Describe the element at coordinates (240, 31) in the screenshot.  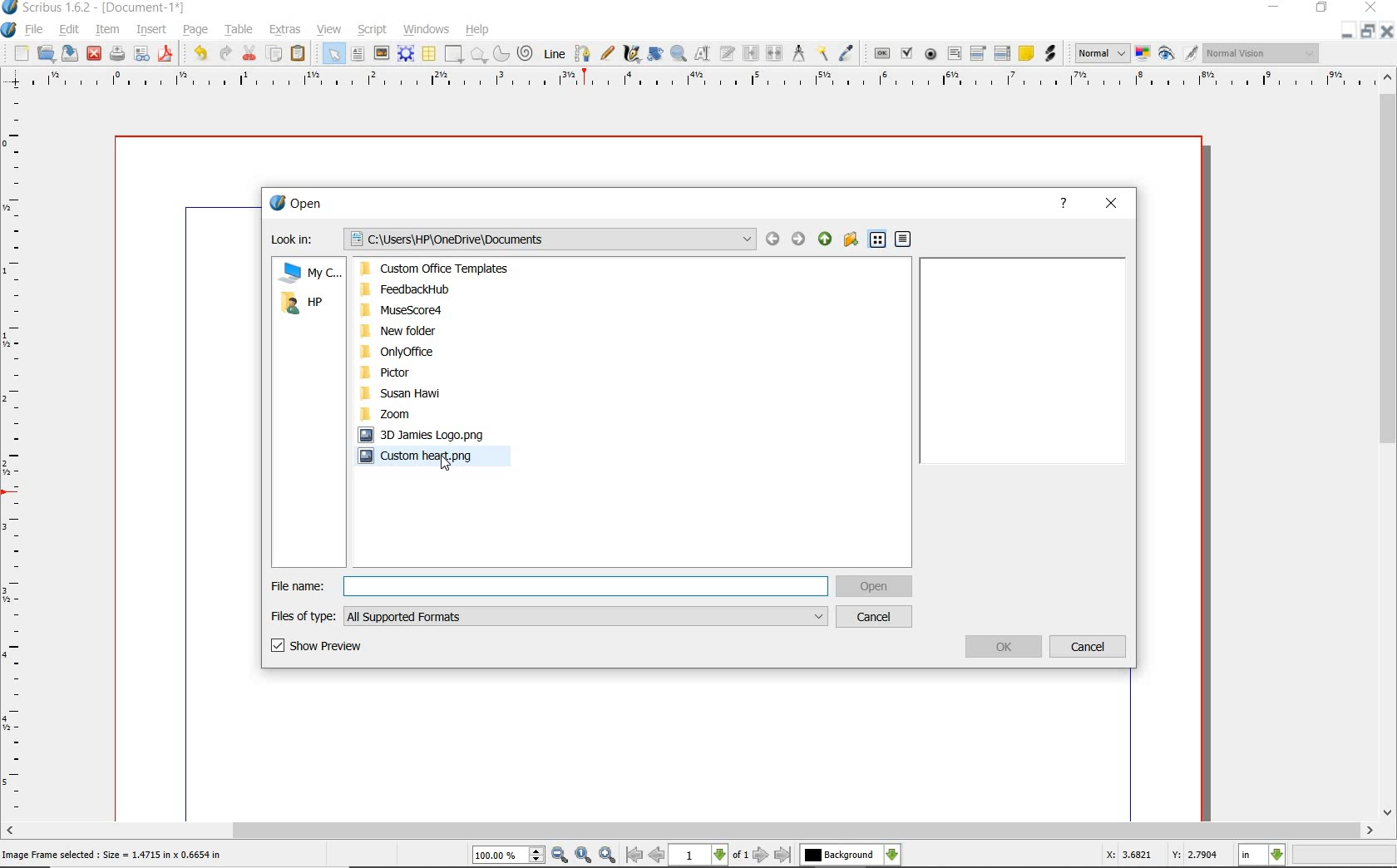
I see `table` at that location.